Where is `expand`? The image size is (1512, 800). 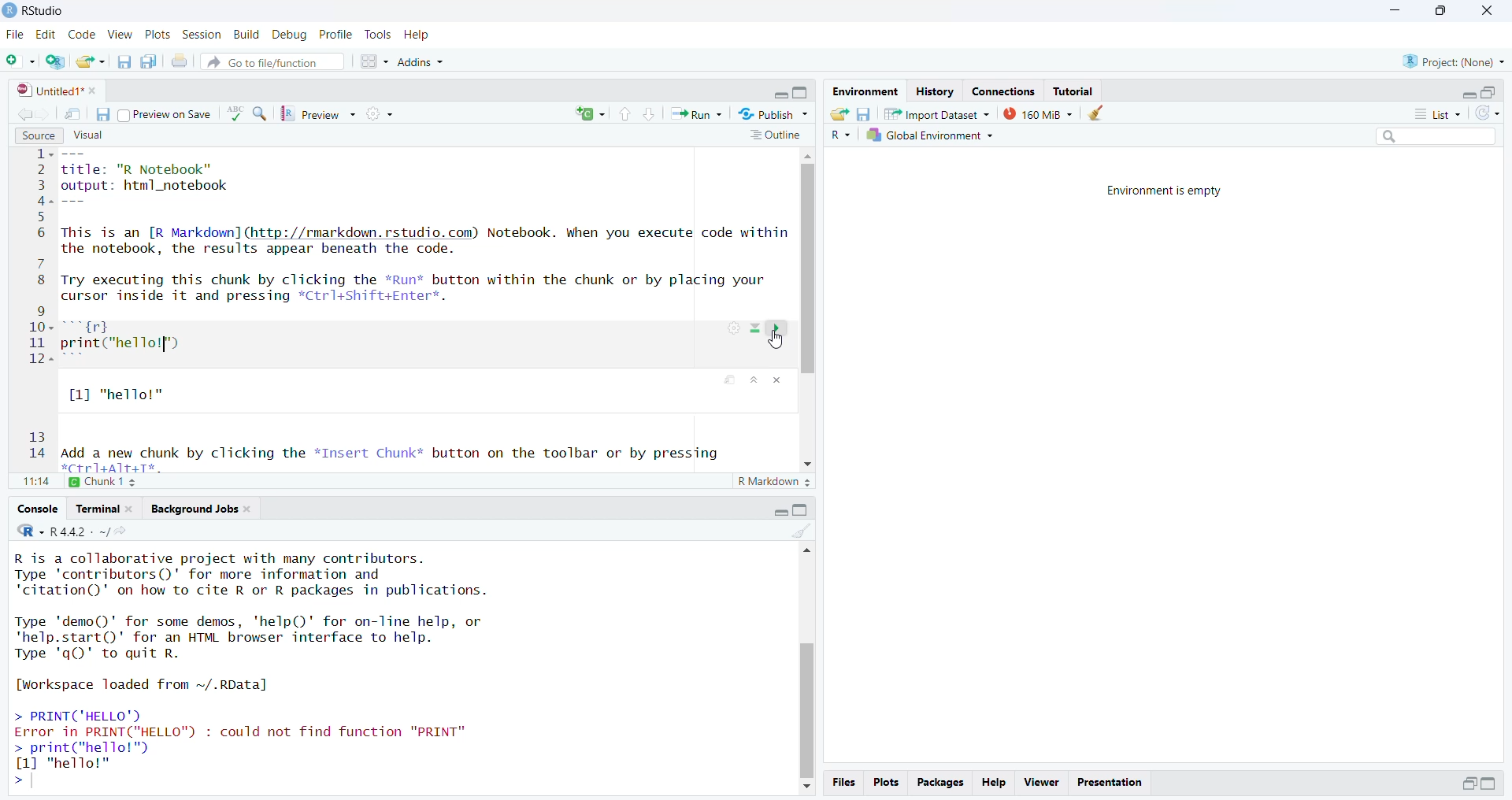
expand is located at coordinates (781, 509).